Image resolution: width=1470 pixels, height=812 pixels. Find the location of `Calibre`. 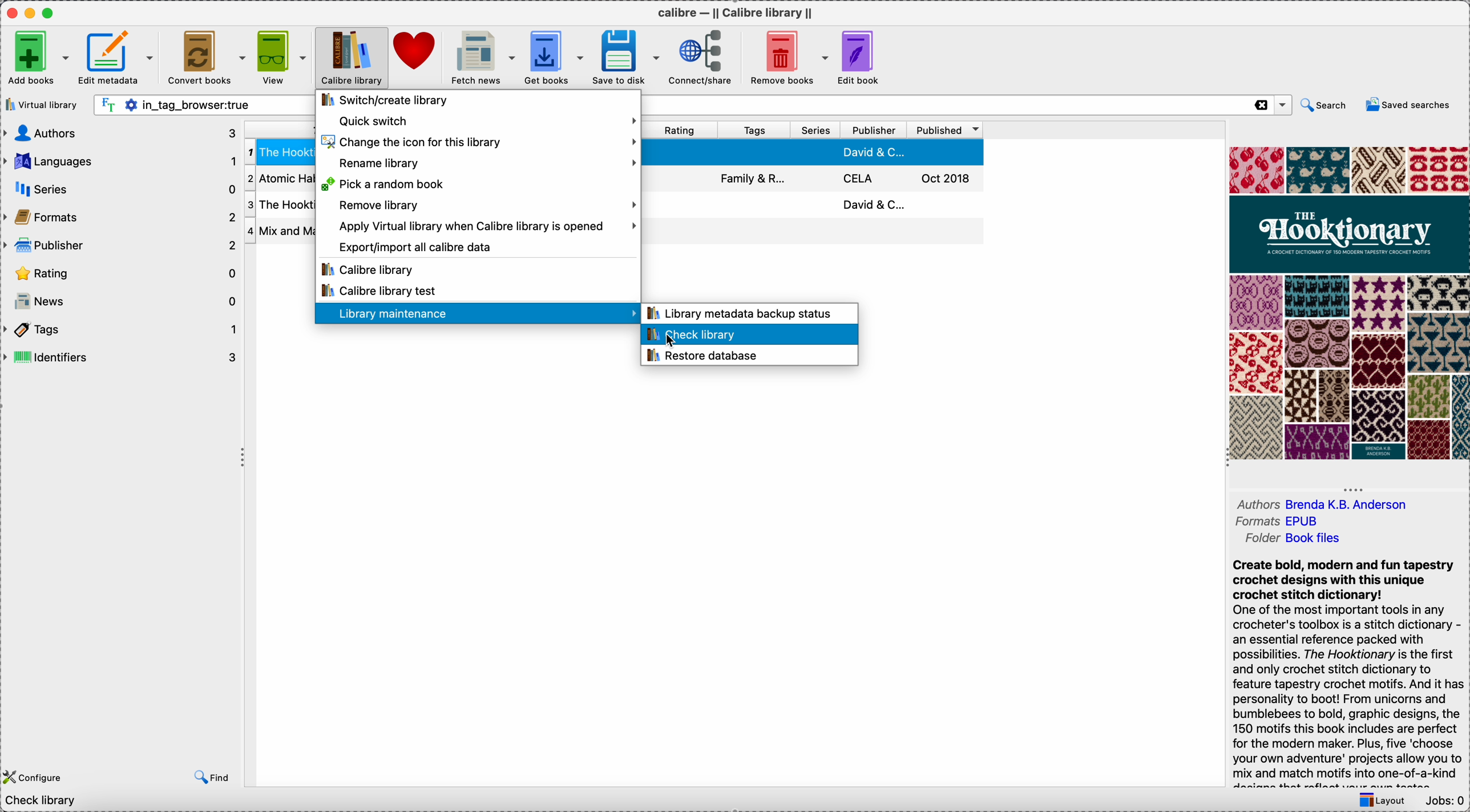

Calibre is located at coordinates (738, 11).